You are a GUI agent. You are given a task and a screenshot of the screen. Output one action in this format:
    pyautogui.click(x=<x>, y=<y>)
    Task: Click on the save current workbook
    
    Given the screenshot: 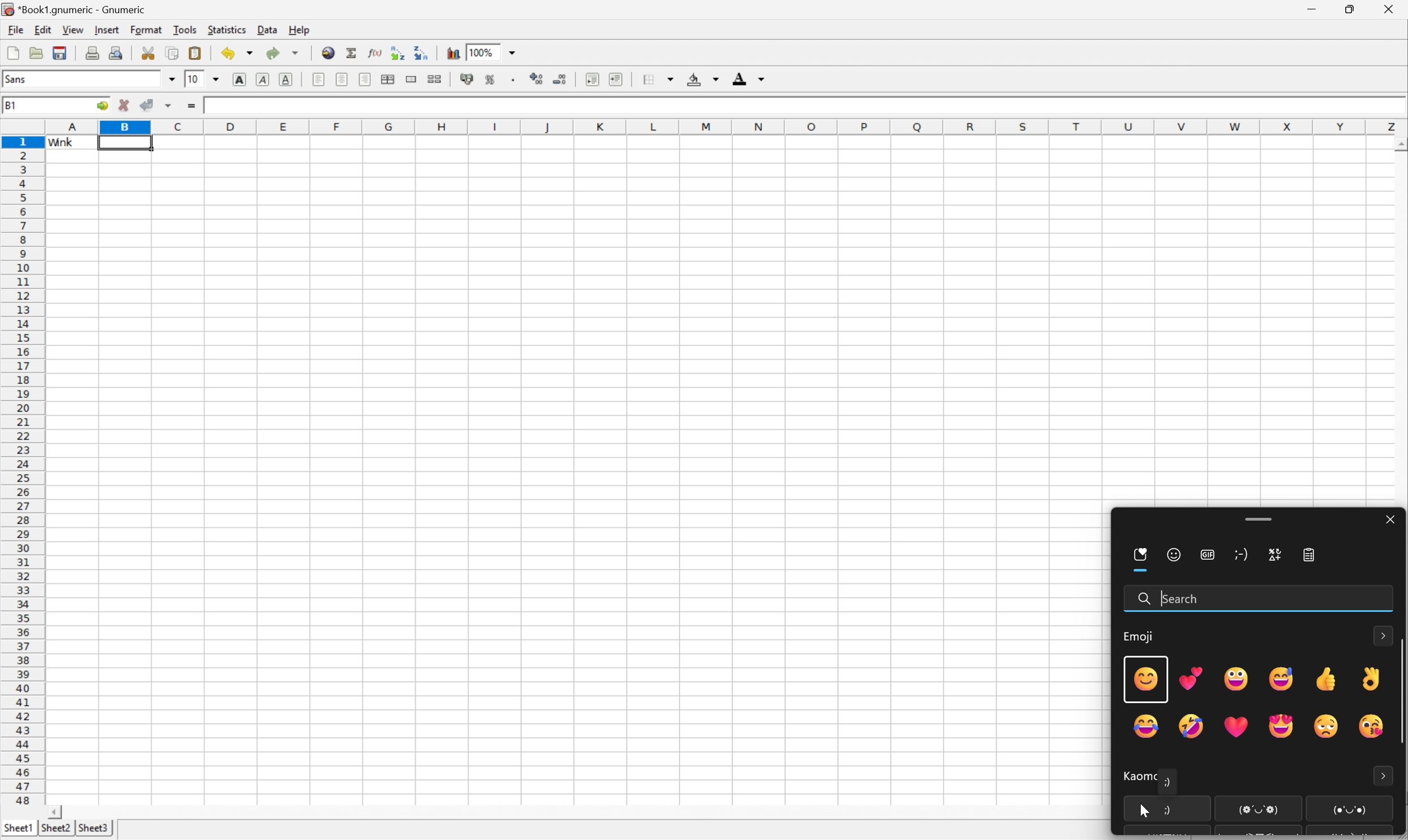 What is the action you would take?
    pyautogui.click(x=60, y=53)
    